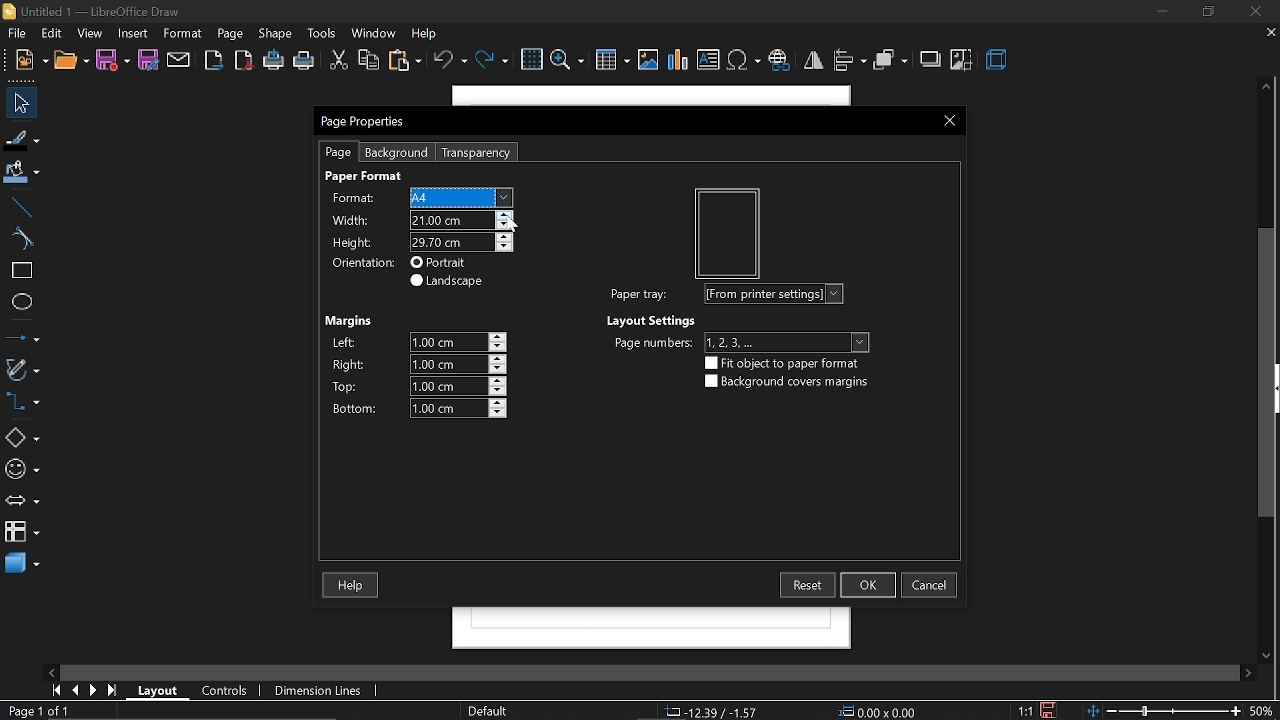 The height and width of the screenshot is (720, 1280). I want to click on move right, so click(1246, 671).